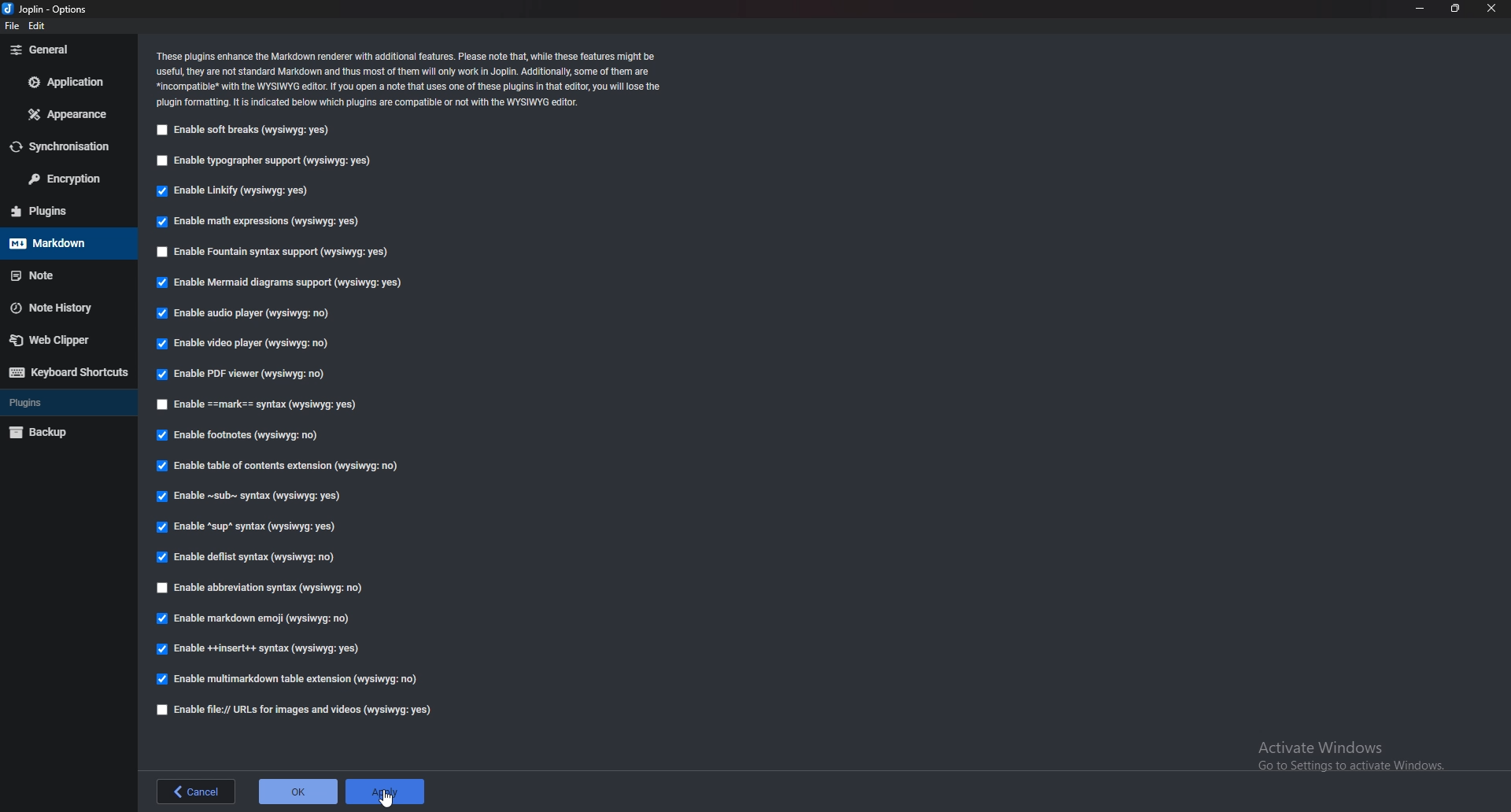 The width and height of the screenshot is (1511, 812). What do you see at coordinates (61, 273) in the screenshot?
I see `note` at bounding box center [61, 273].